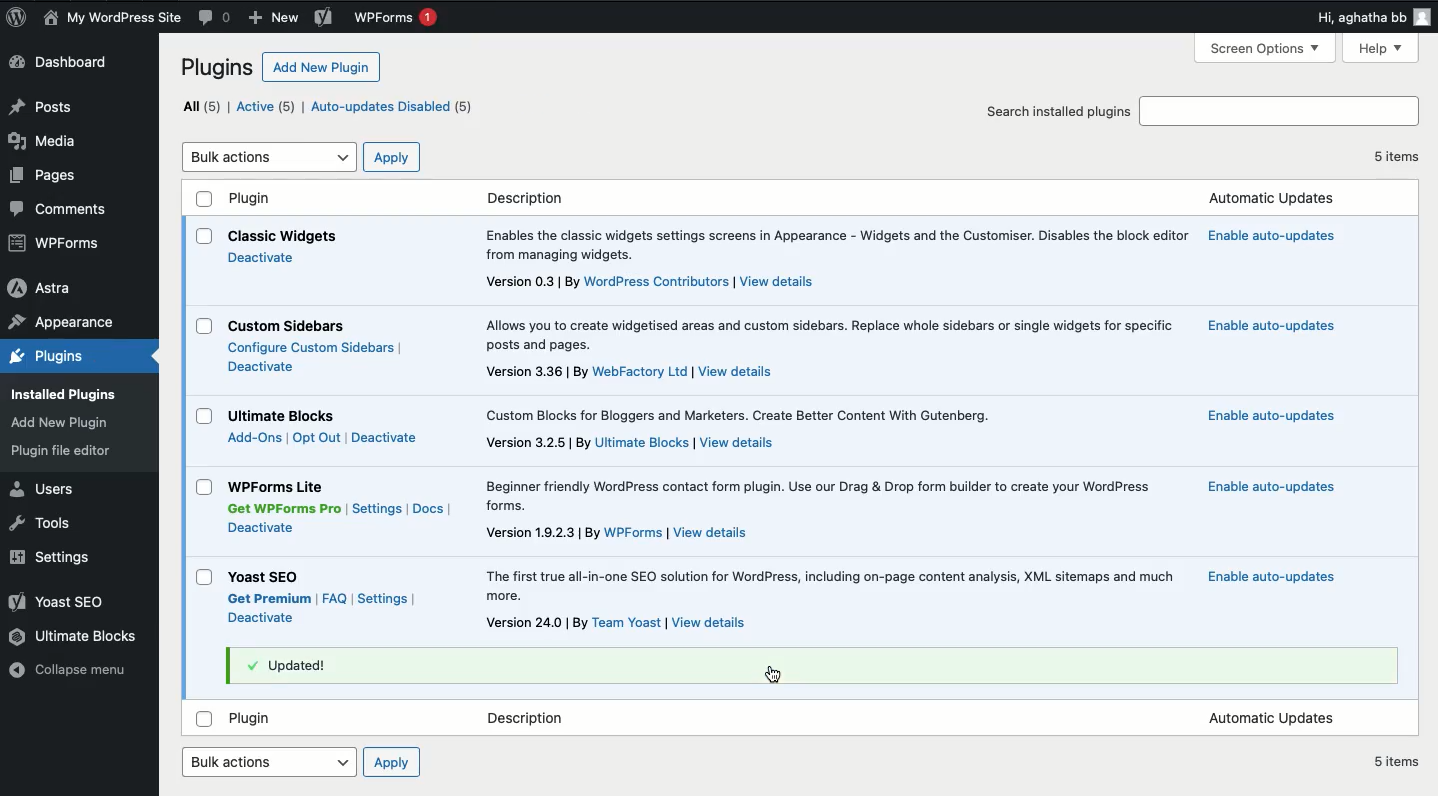  Describe the element at coordinates (204, 198) in the screenshot. I see `Checkbox` at that location.